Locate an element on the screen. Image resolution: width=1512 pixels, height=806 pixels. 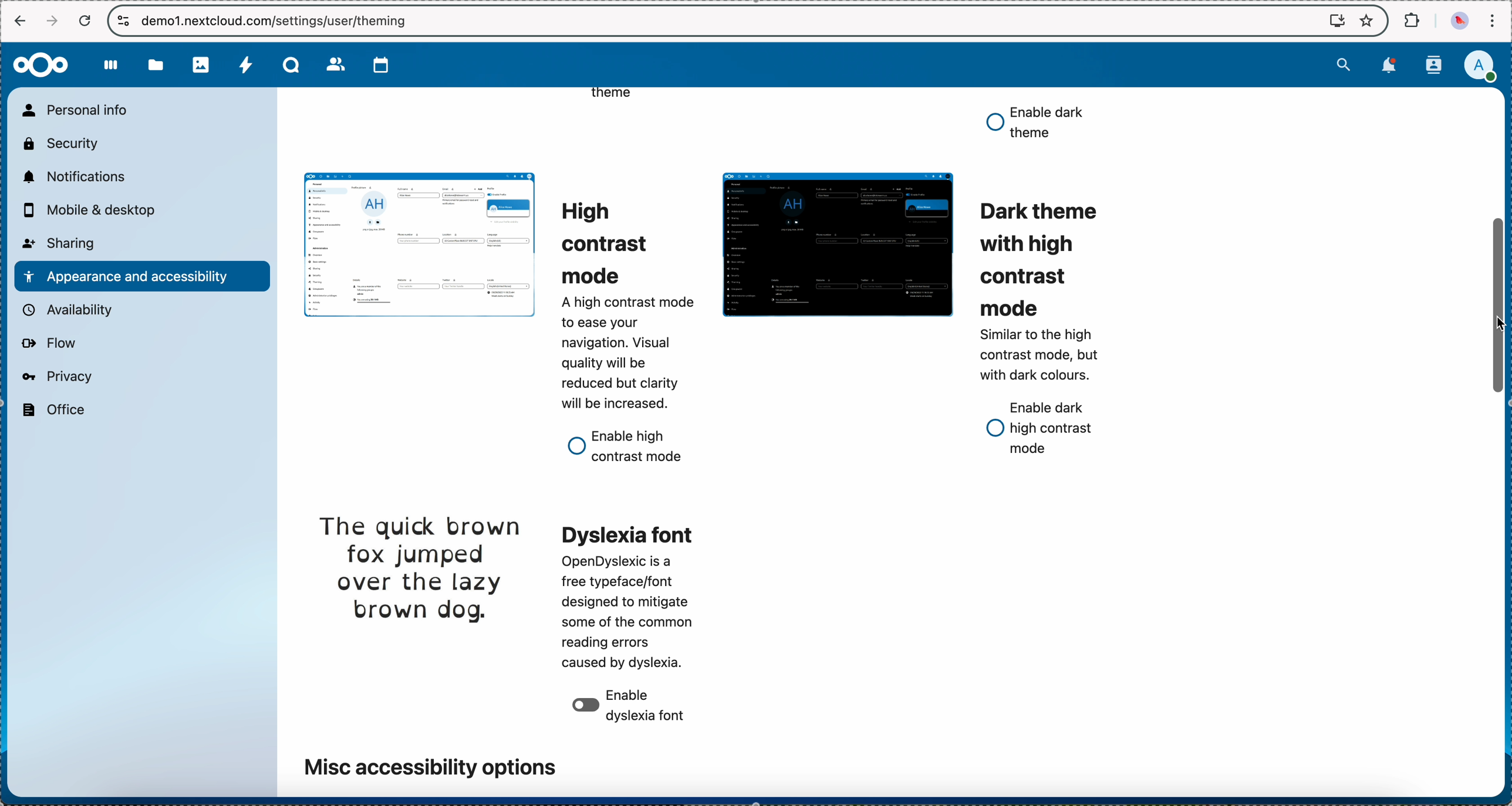
security is located at coordinates (62, 144).